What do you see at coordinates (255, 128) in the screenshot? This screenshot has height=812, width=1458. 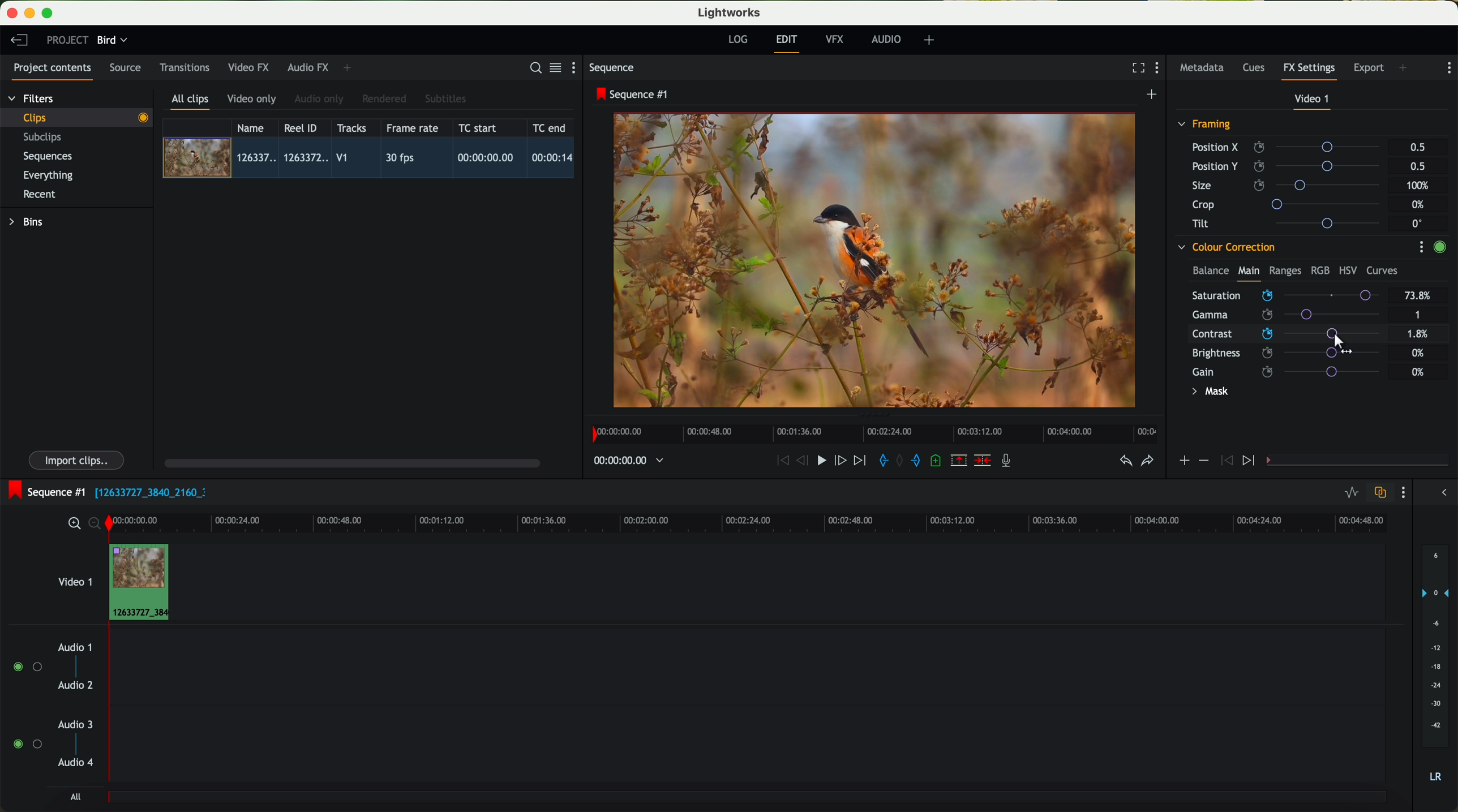 I see `name` at bounding box center [255, 128].